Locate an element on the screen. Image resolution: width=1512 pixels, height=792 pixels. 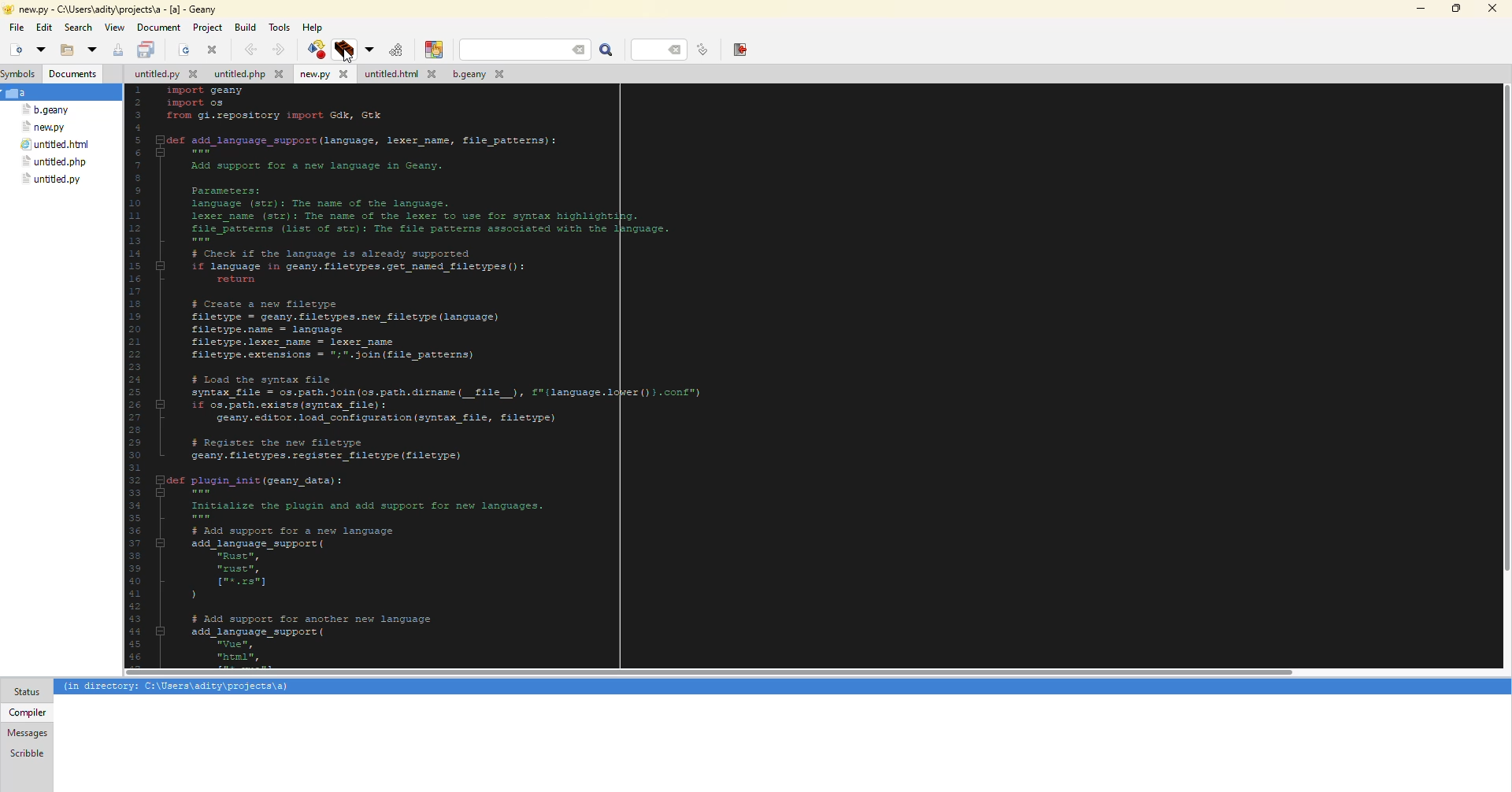
minimize is located at coordinates (1416, 9).